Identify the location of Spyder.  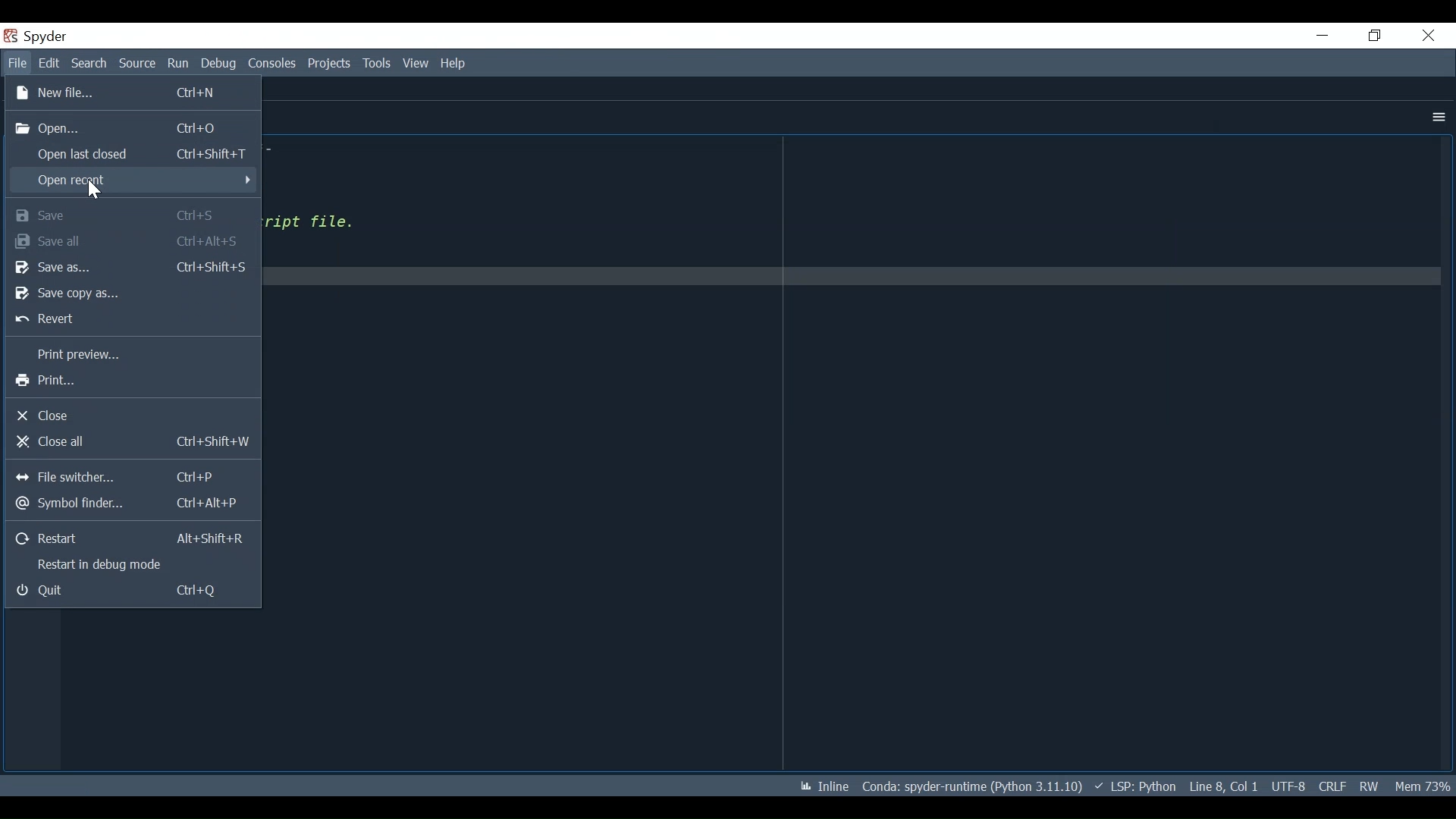
(49, 36).